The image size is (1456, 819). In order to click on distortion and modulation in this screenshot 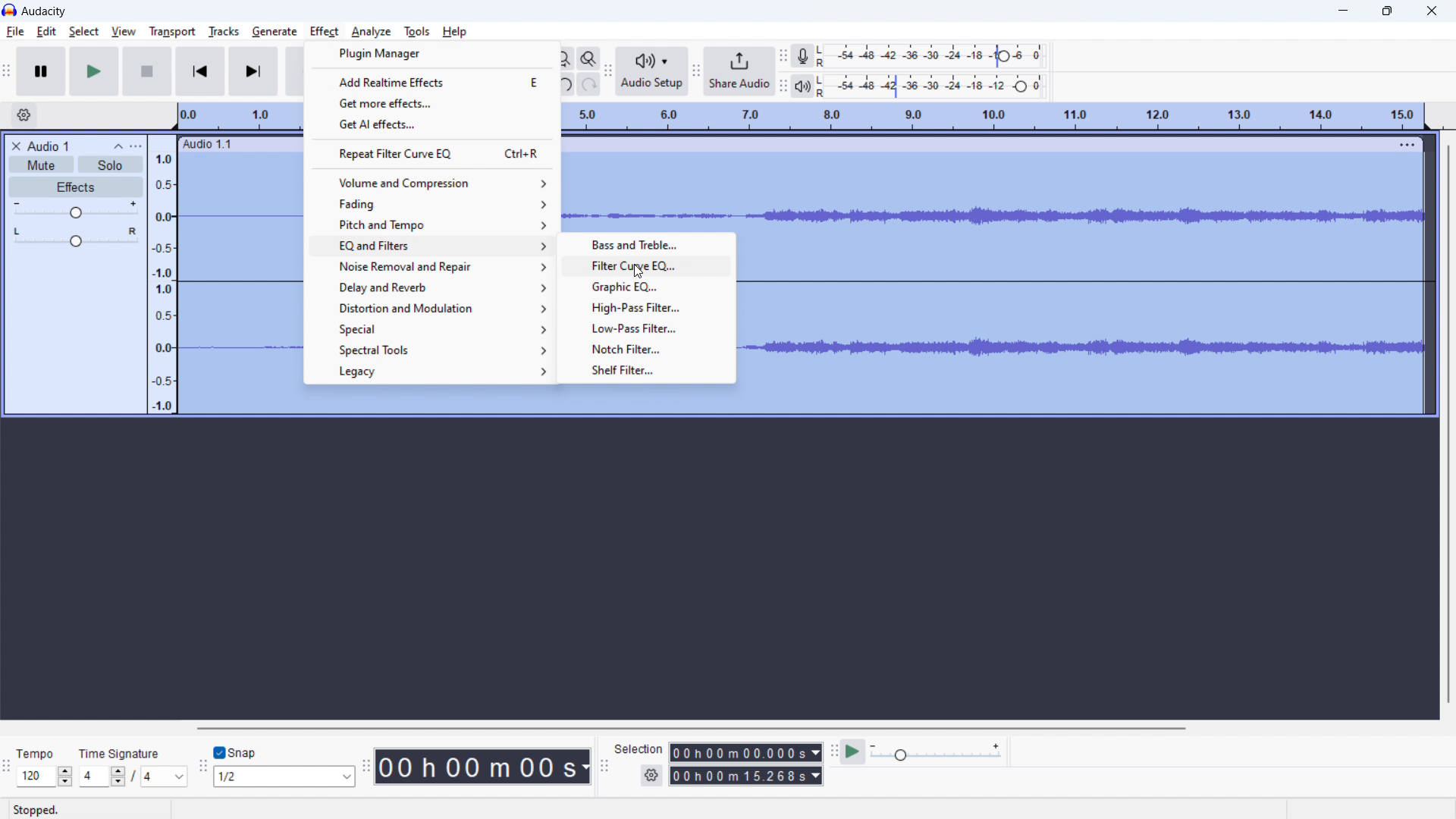, I will do `click(430, 308)`.